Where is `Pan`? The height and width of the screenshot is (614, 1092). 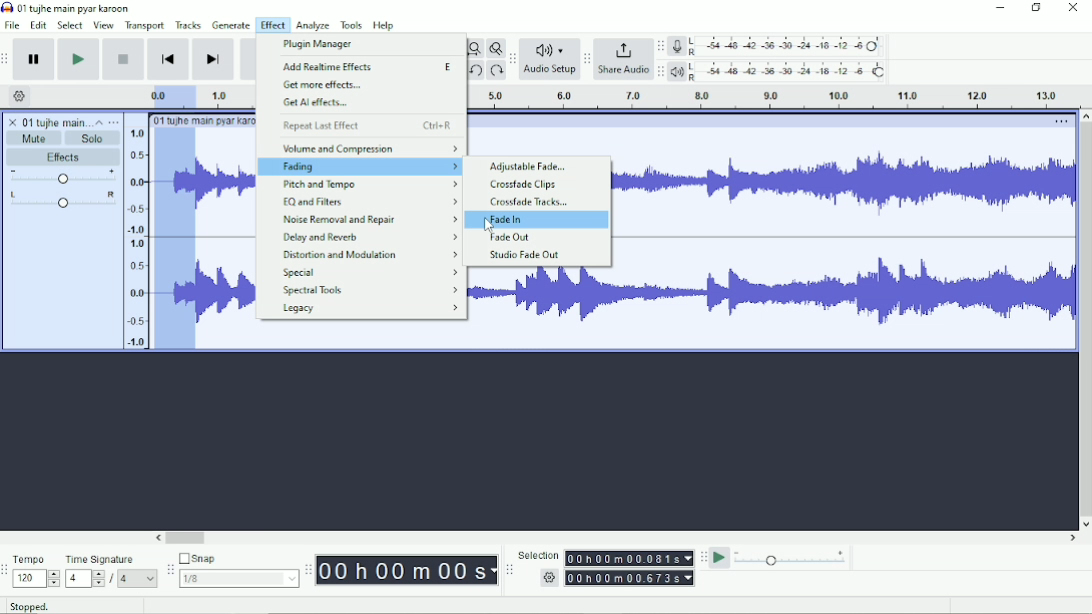
Pan is located at coordinates (62, 201).